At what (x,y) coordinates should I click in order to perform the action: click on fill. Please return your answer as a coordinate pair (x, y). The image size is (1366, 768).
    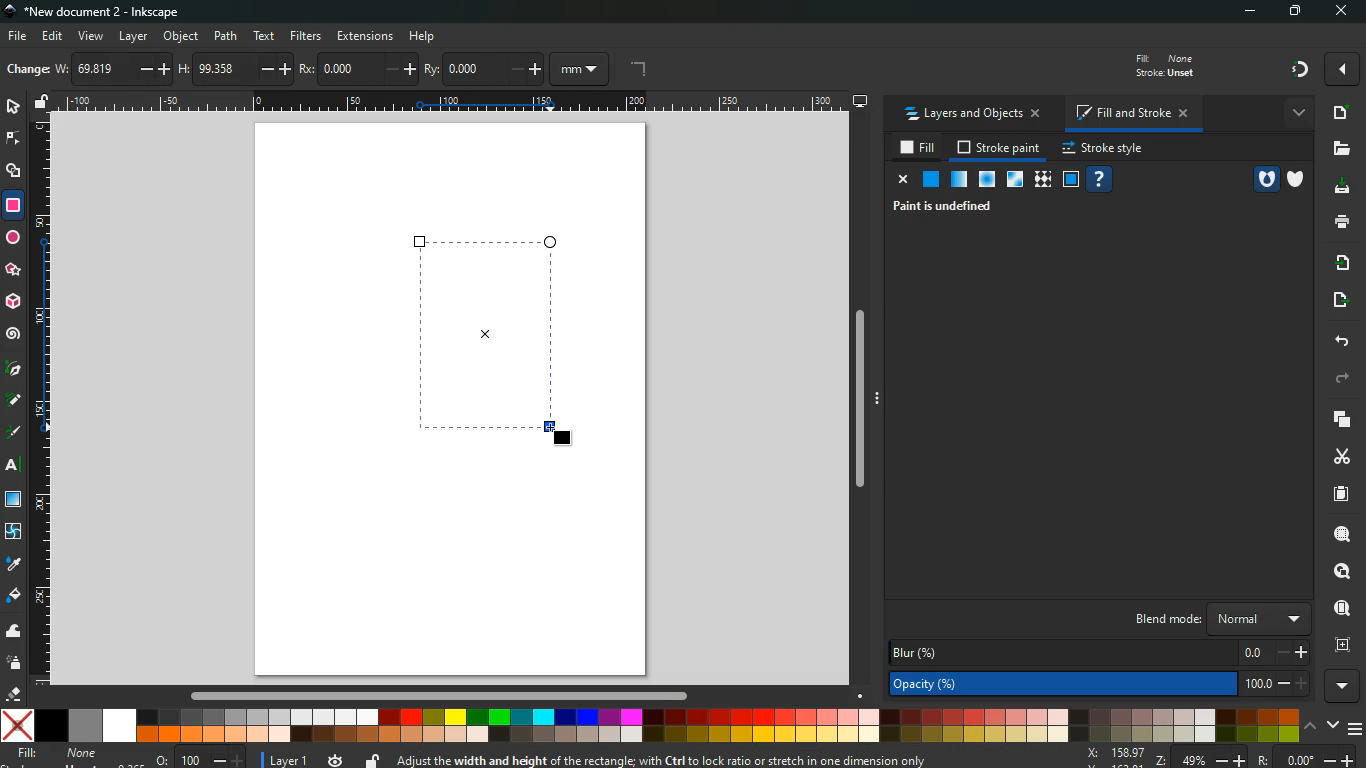
    Looking at the image, I should click on (58, 757).